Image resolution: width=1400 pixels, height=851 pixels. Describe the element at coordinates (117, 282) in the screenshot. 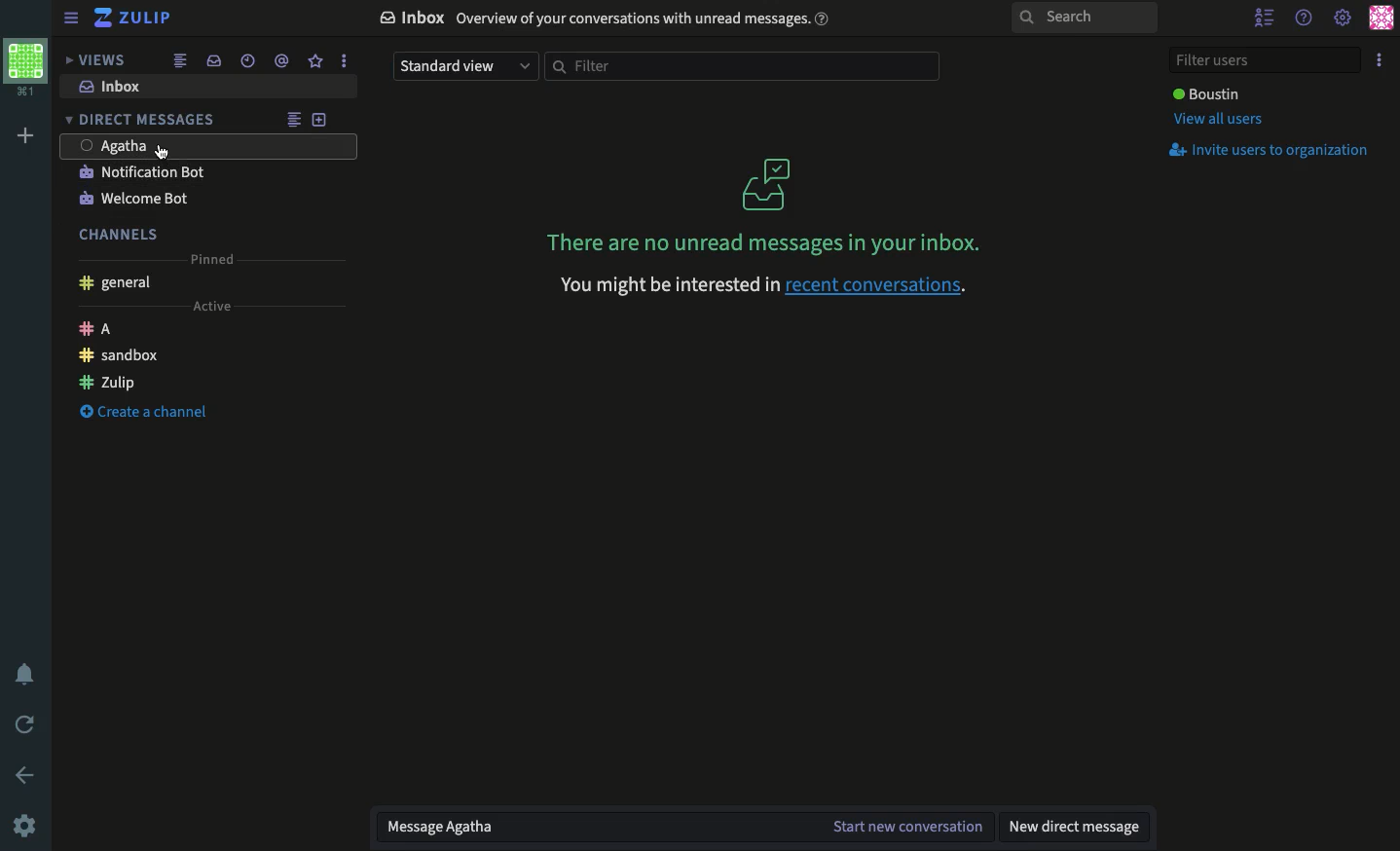

I see `General` at that location.